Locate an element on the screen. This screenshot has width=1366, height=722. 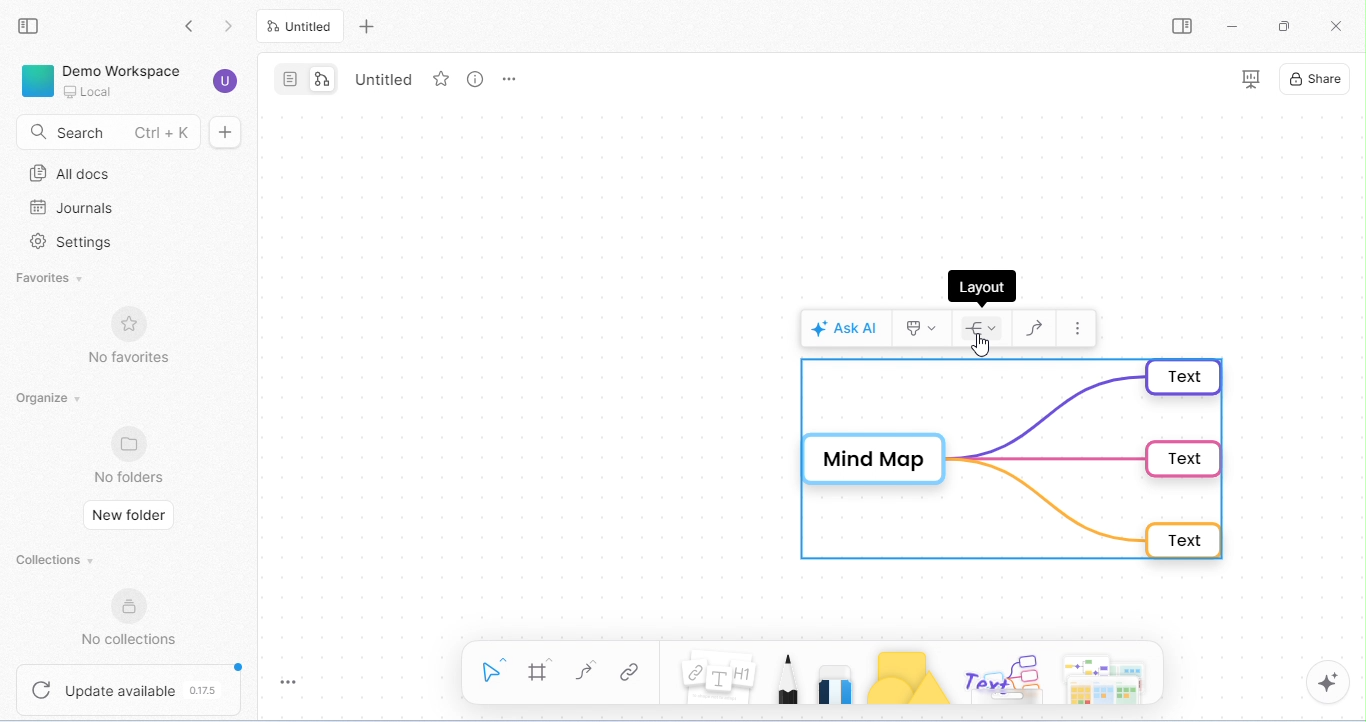
search is located at coordinates (103, 133).